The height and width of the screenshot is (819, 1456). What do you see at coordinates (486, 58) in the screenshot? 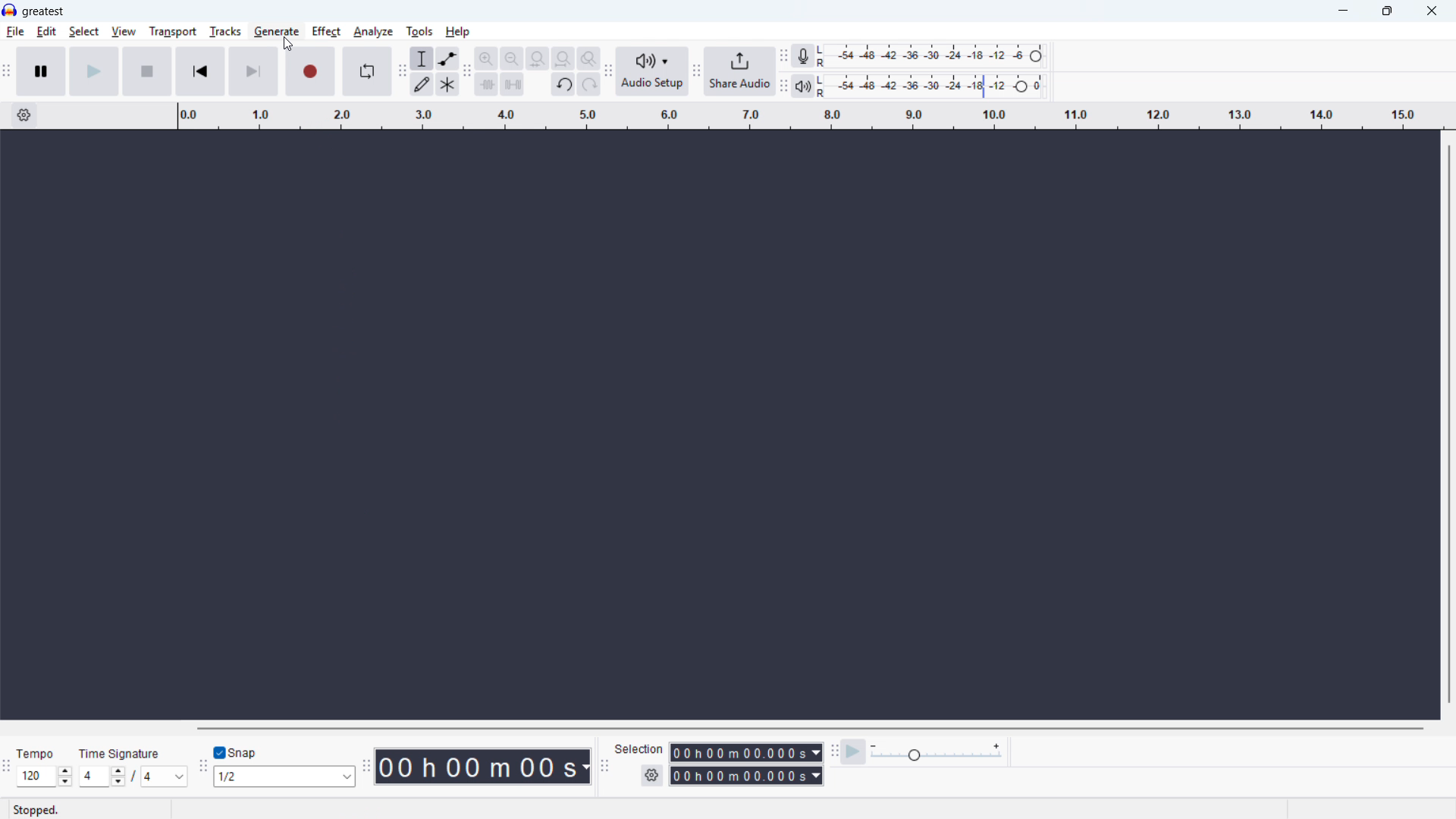
I see `zoom in` at bounding box center [486, 58].